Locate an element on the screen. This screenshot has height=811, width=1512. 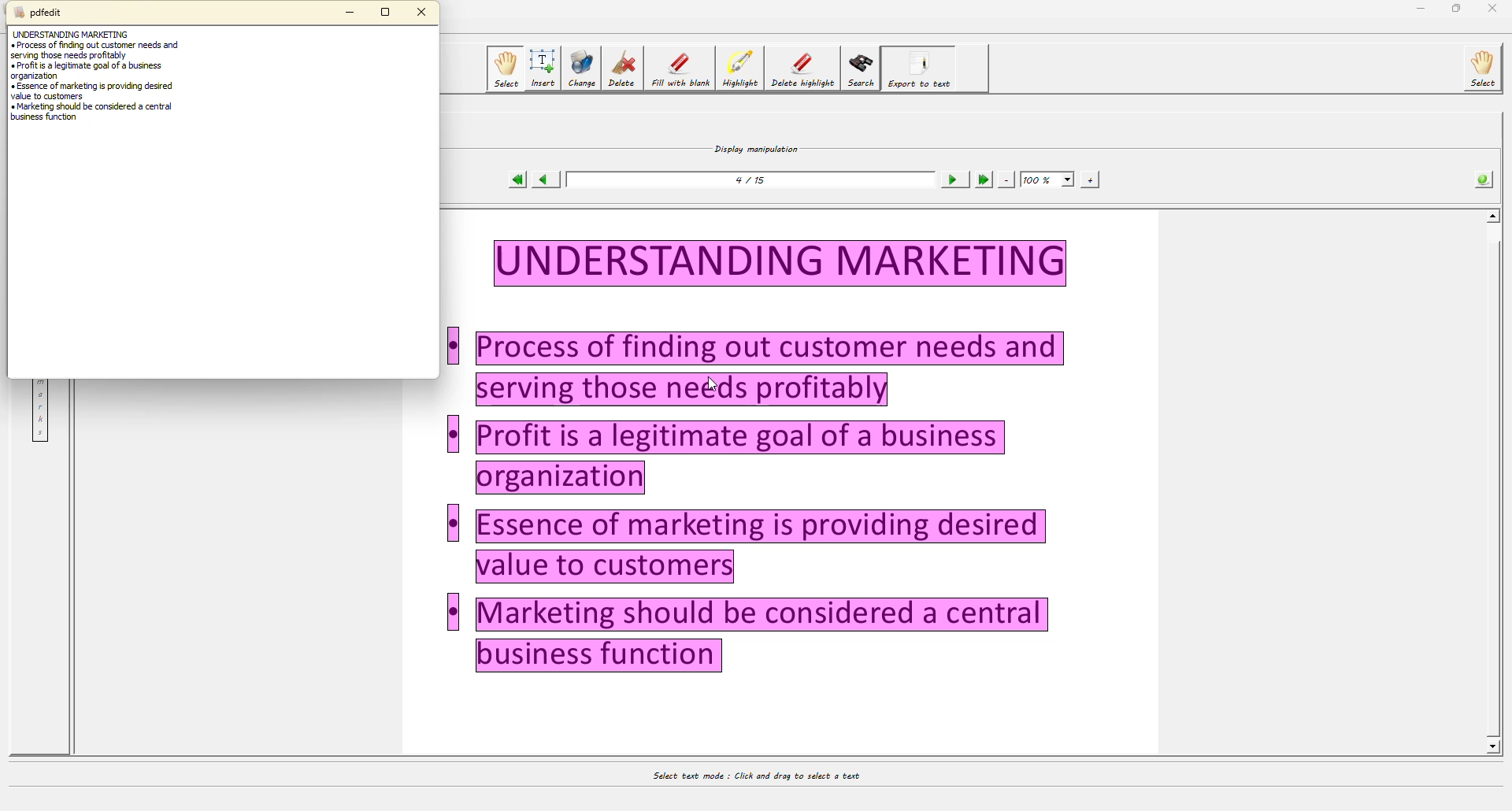
text is located at coordinates (95, 86).